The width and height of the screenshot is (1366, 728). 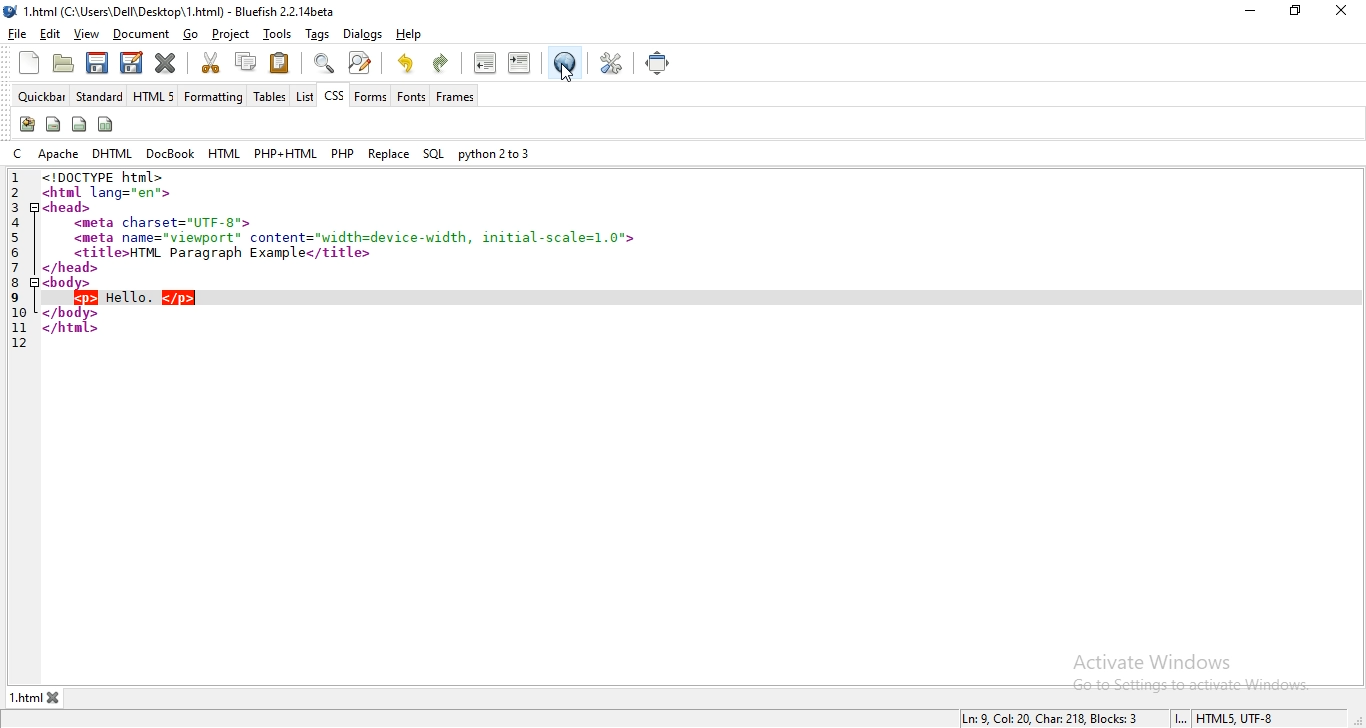 I want to click on create stylesheet, so click(x=26, y=125).